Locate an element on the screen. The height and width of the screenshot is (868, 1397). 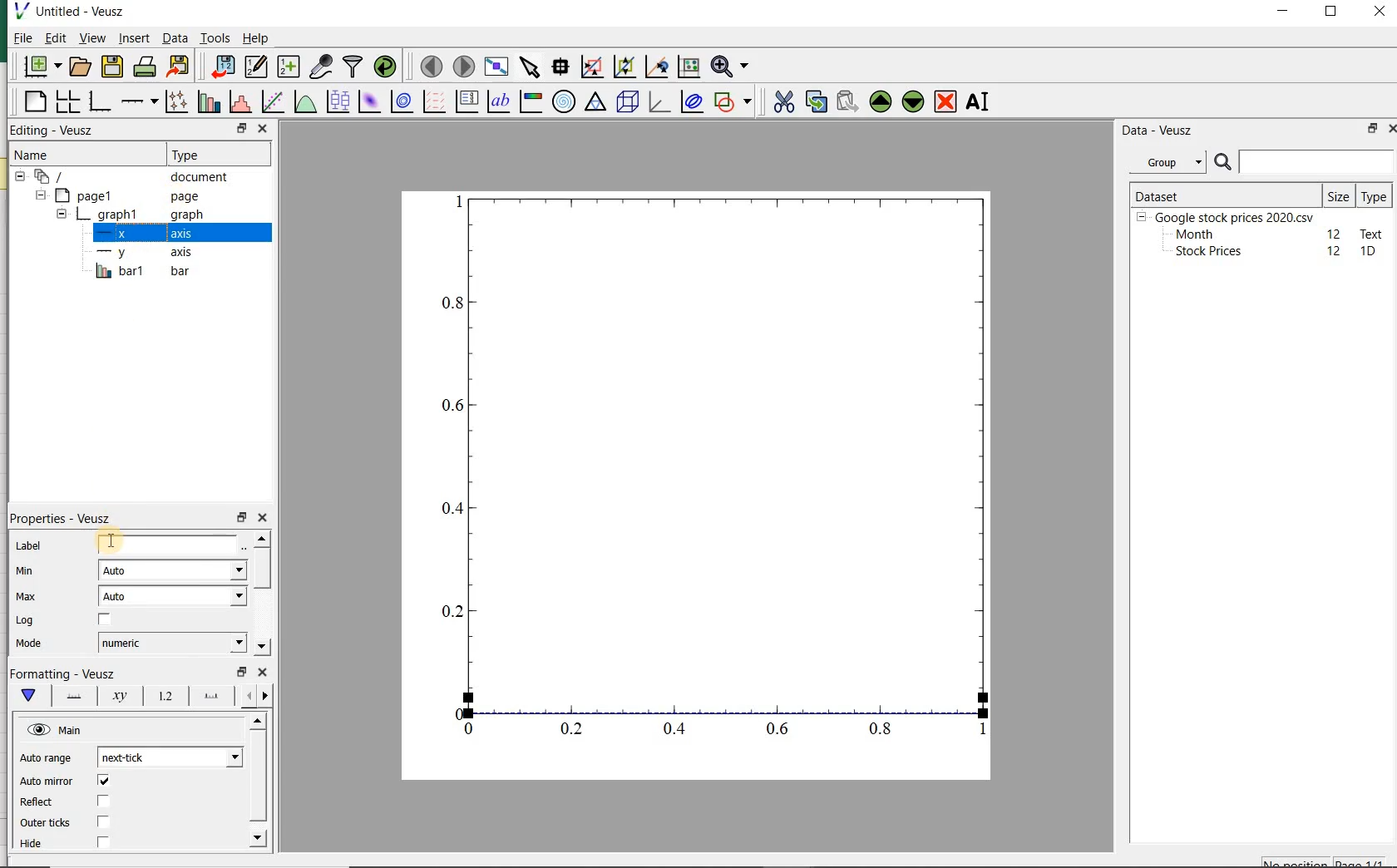
Editing - Veusz is located at coordinates (54, 131).